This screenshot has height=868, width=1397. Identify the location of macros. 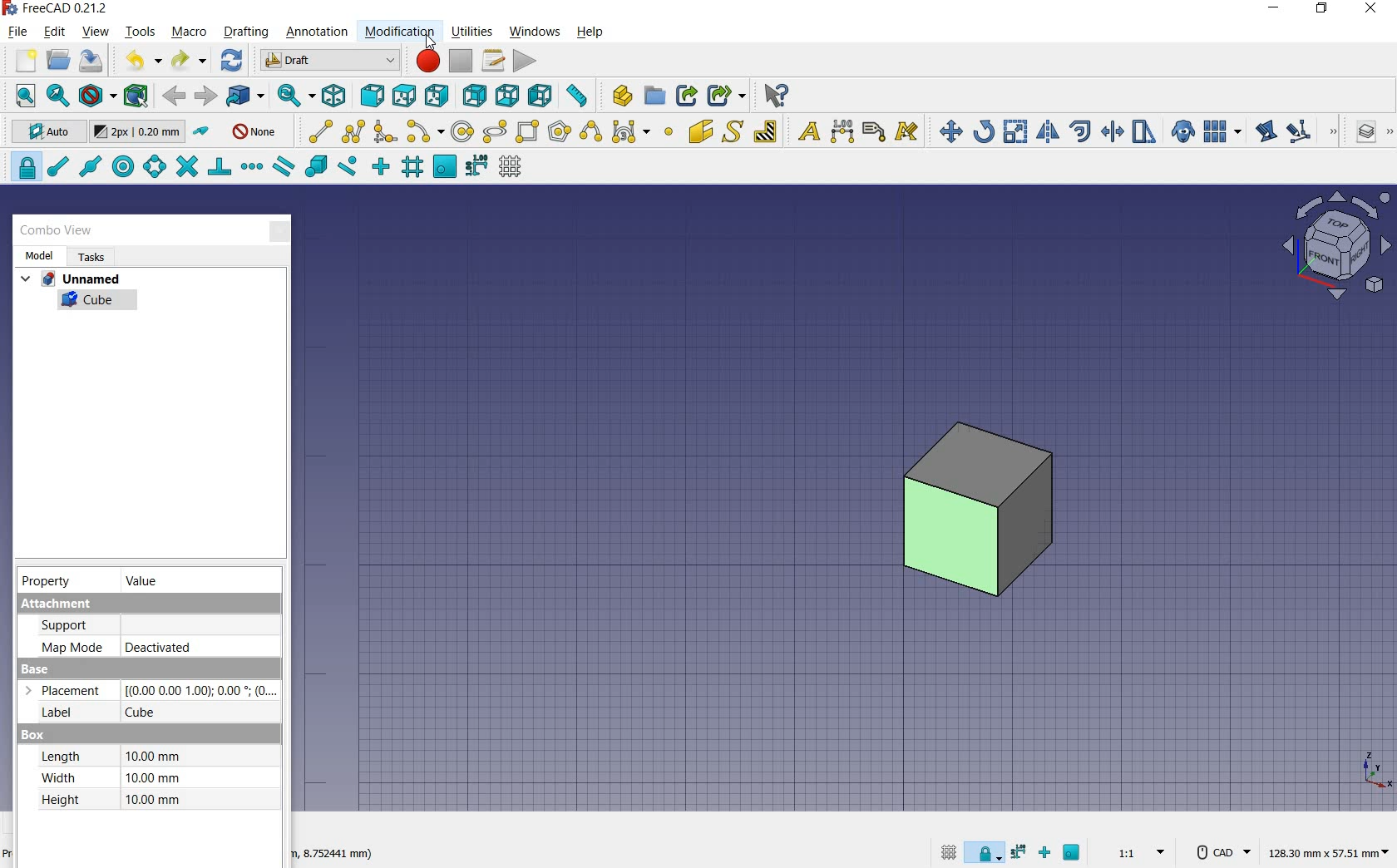
(493, 61).